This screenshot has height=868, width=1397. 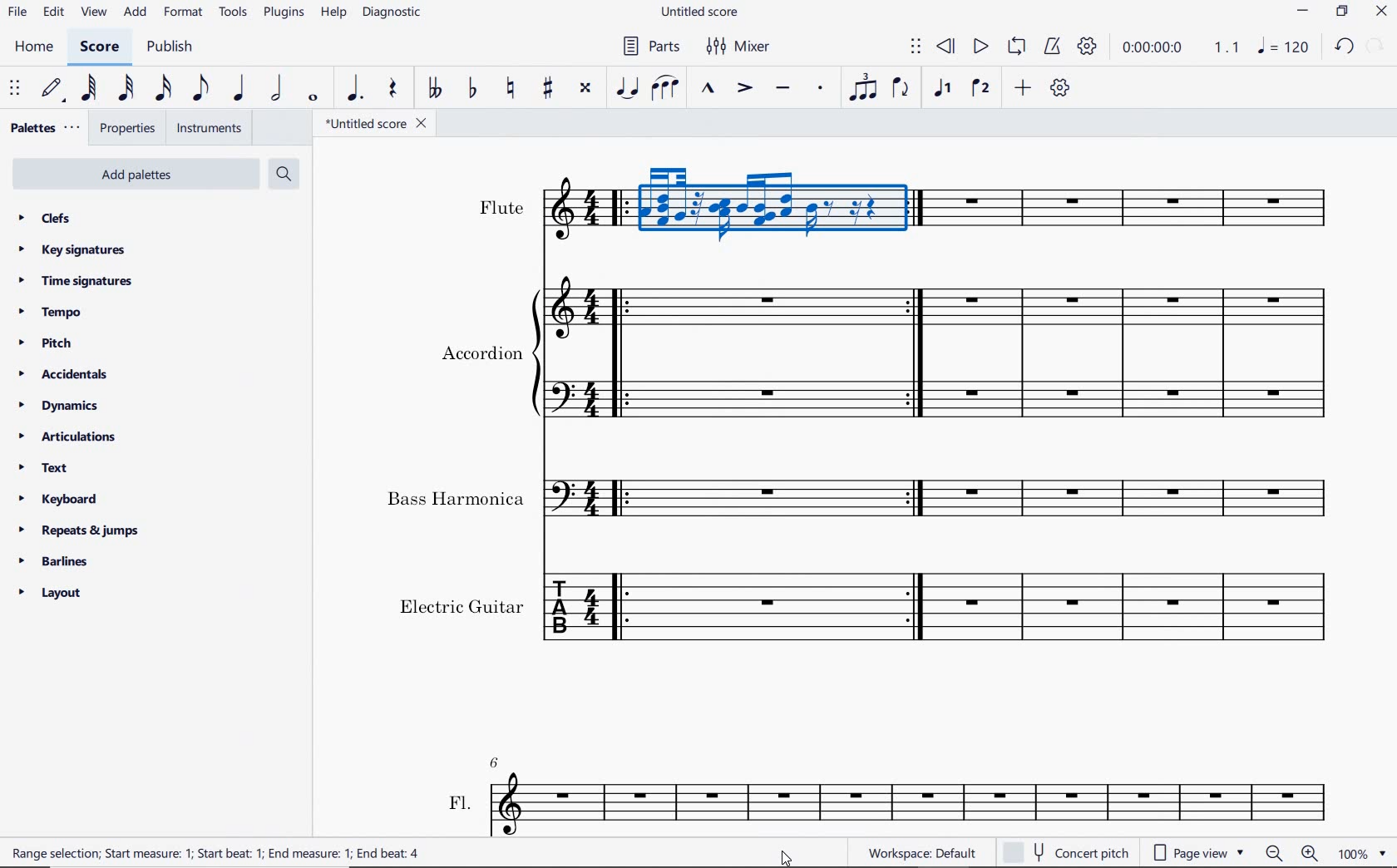 What do you see at coordinates (708, 89) in the screenshot?
I see `marcato` at bounding box center [708, 89].